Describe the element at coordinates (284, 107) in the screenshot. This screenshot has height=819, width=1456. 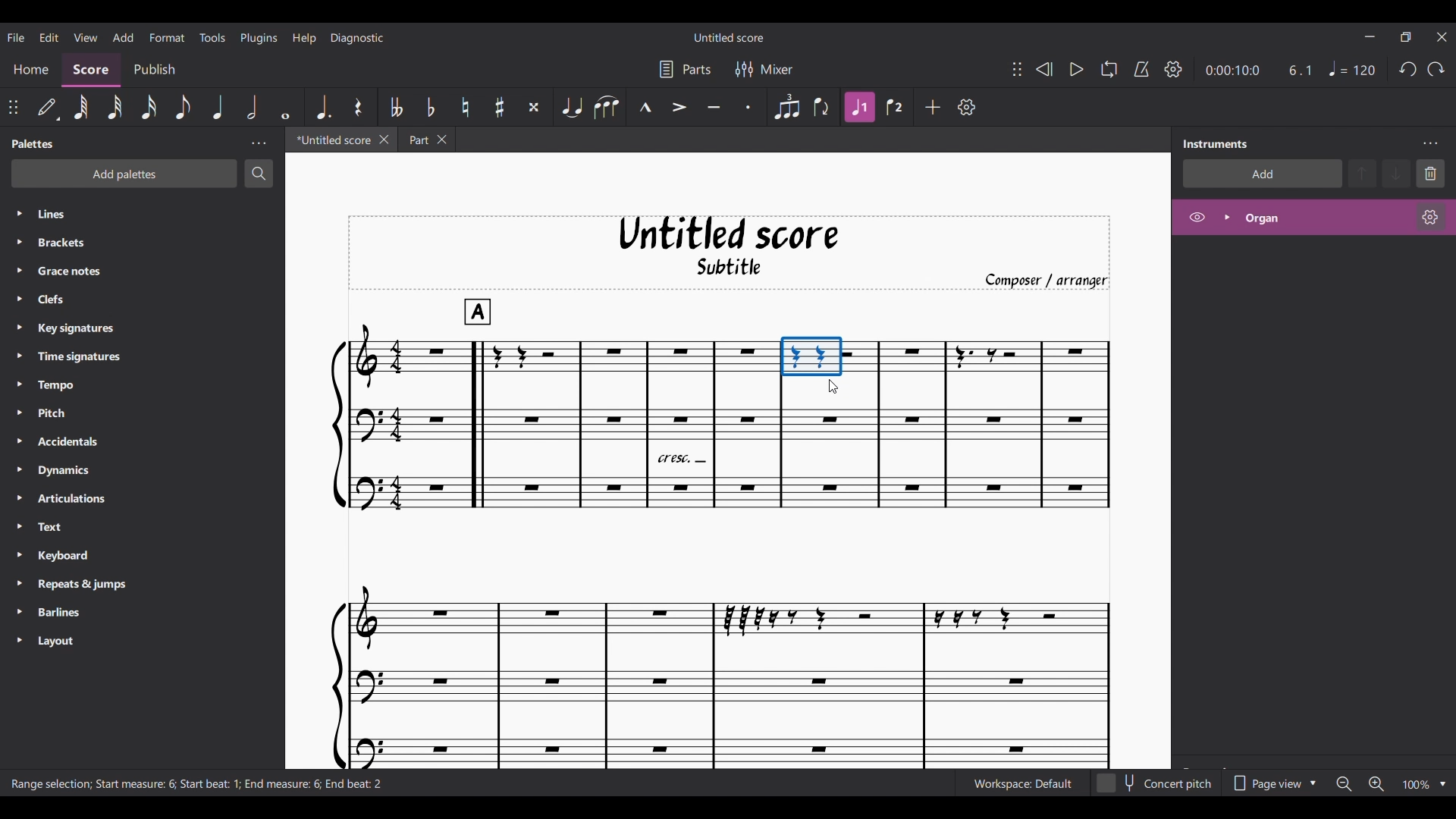
I see `Whole note` at that location.